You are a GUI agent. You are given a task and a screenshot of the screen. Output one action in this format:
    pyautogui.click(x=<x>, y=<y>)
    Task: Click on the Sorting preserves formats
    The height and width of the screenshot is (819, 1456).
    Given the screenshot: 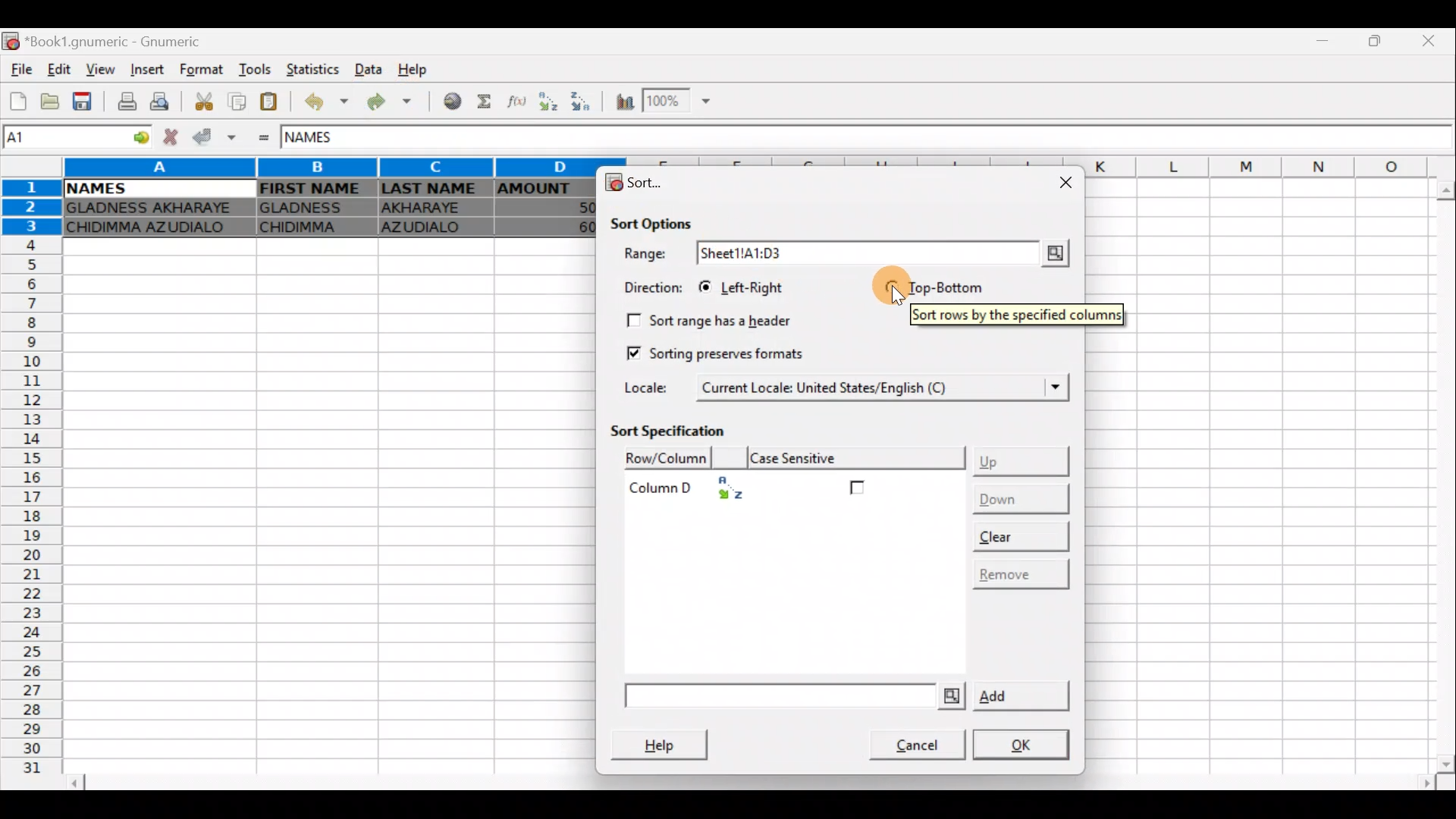 What is the action you would take?
    pyautogui.click(x=714, y=350)
    